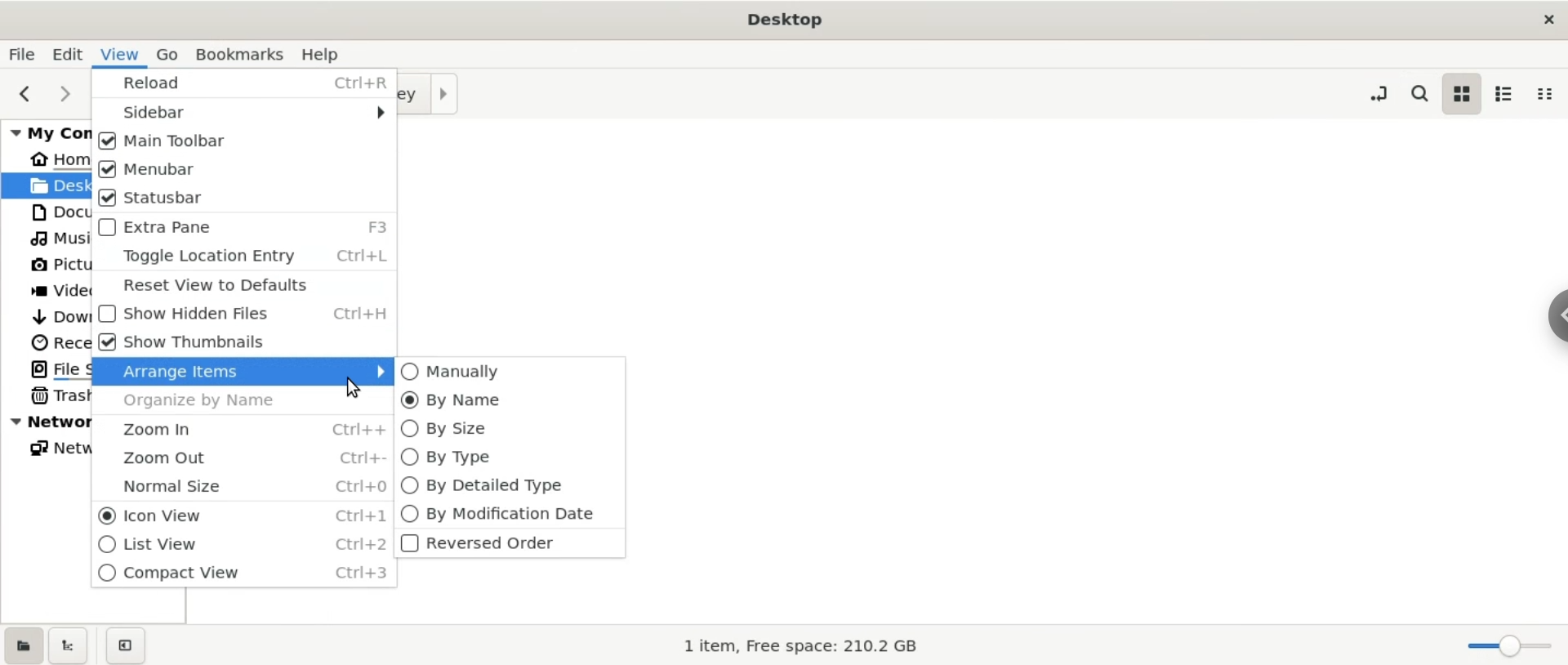 The width and height of the screenshot is (1568, 665). What do you see at coordinates (1545, 19) in the screenshot?
I see `close` at bounding box center [1545, 19].